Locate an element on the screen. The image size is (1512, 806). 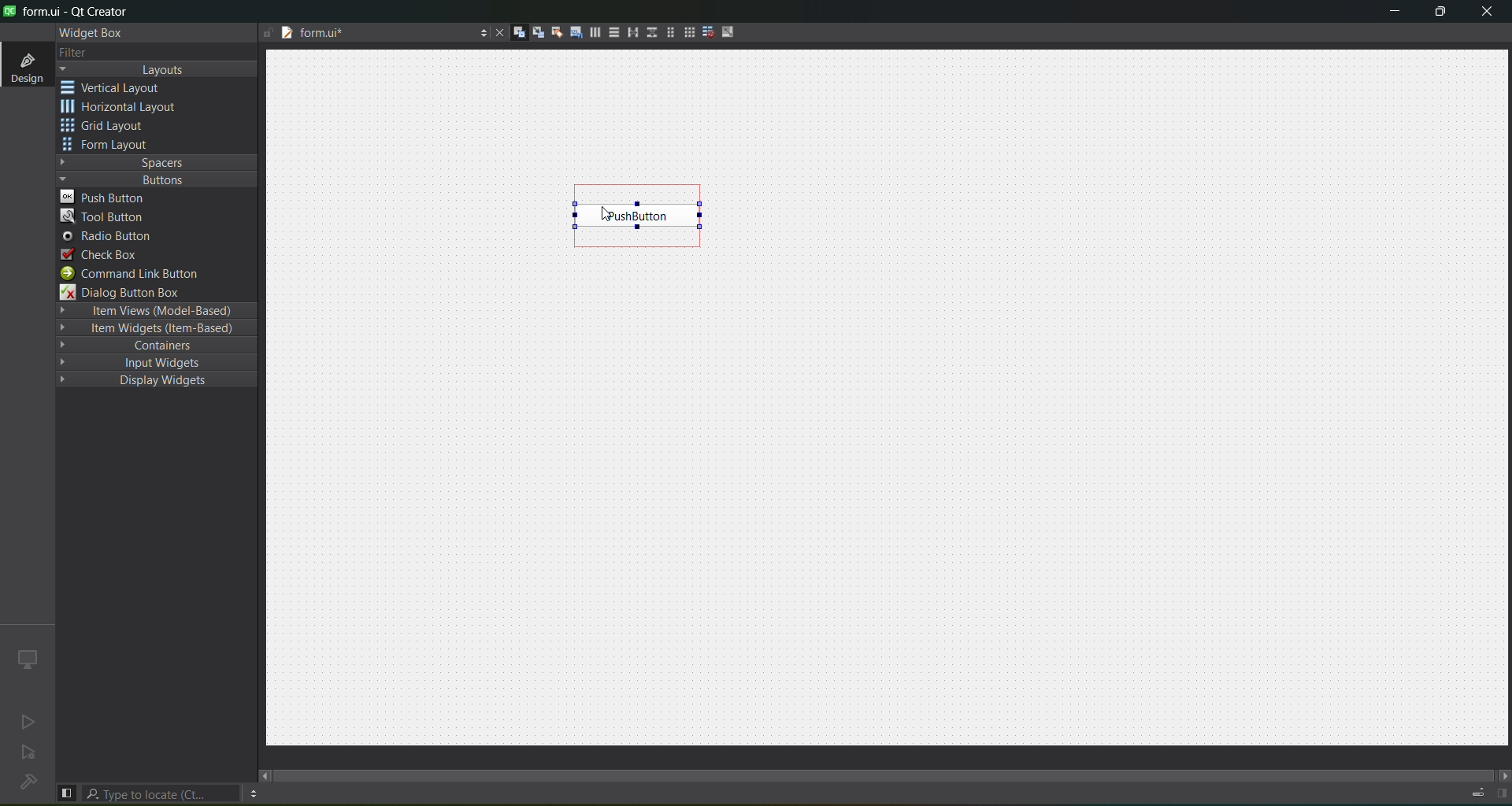
scroll bar is located at coordinates (885, 768).